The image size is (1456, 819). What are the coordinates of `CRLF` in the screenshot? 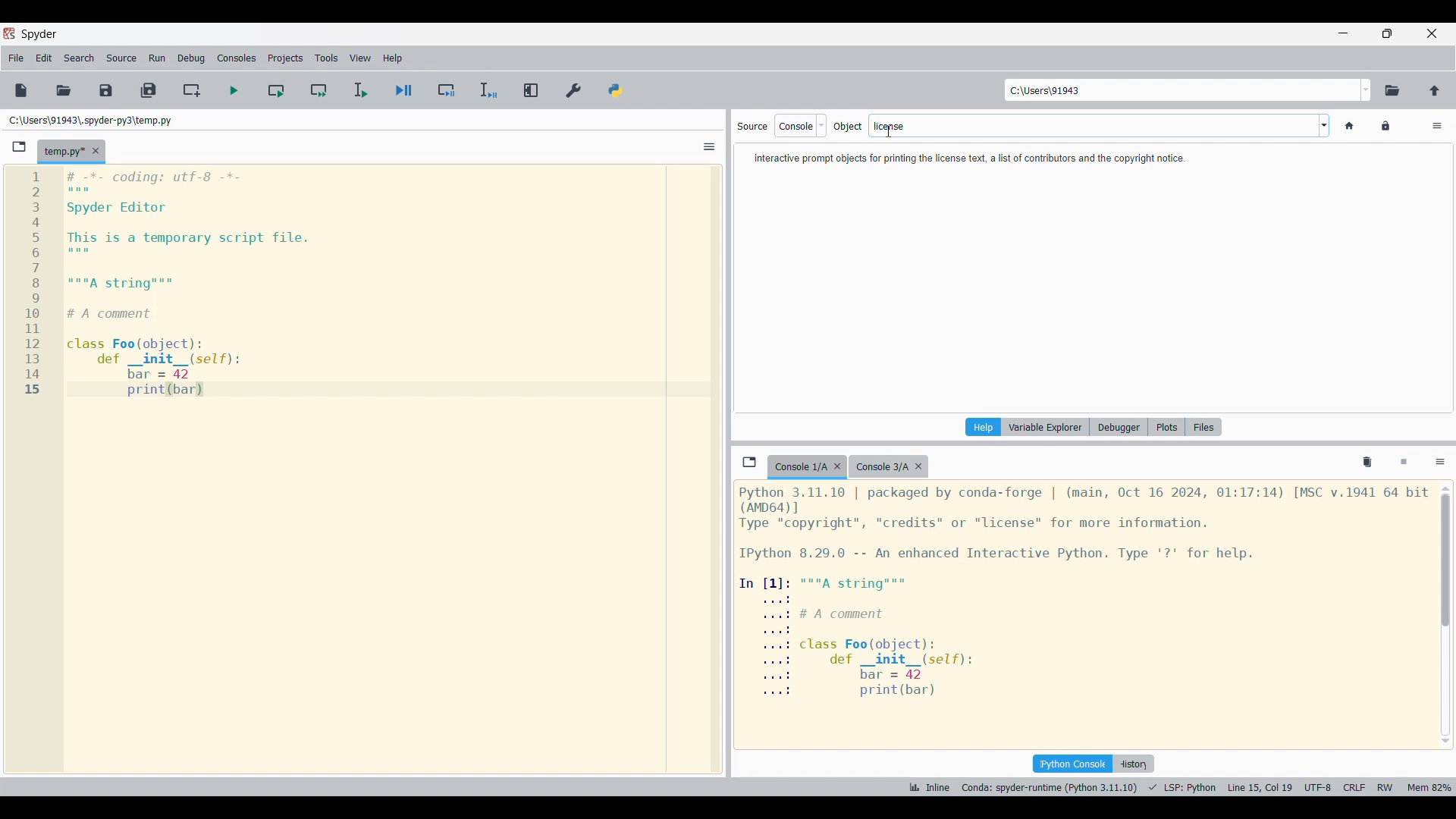 It's located at (1354, 784).